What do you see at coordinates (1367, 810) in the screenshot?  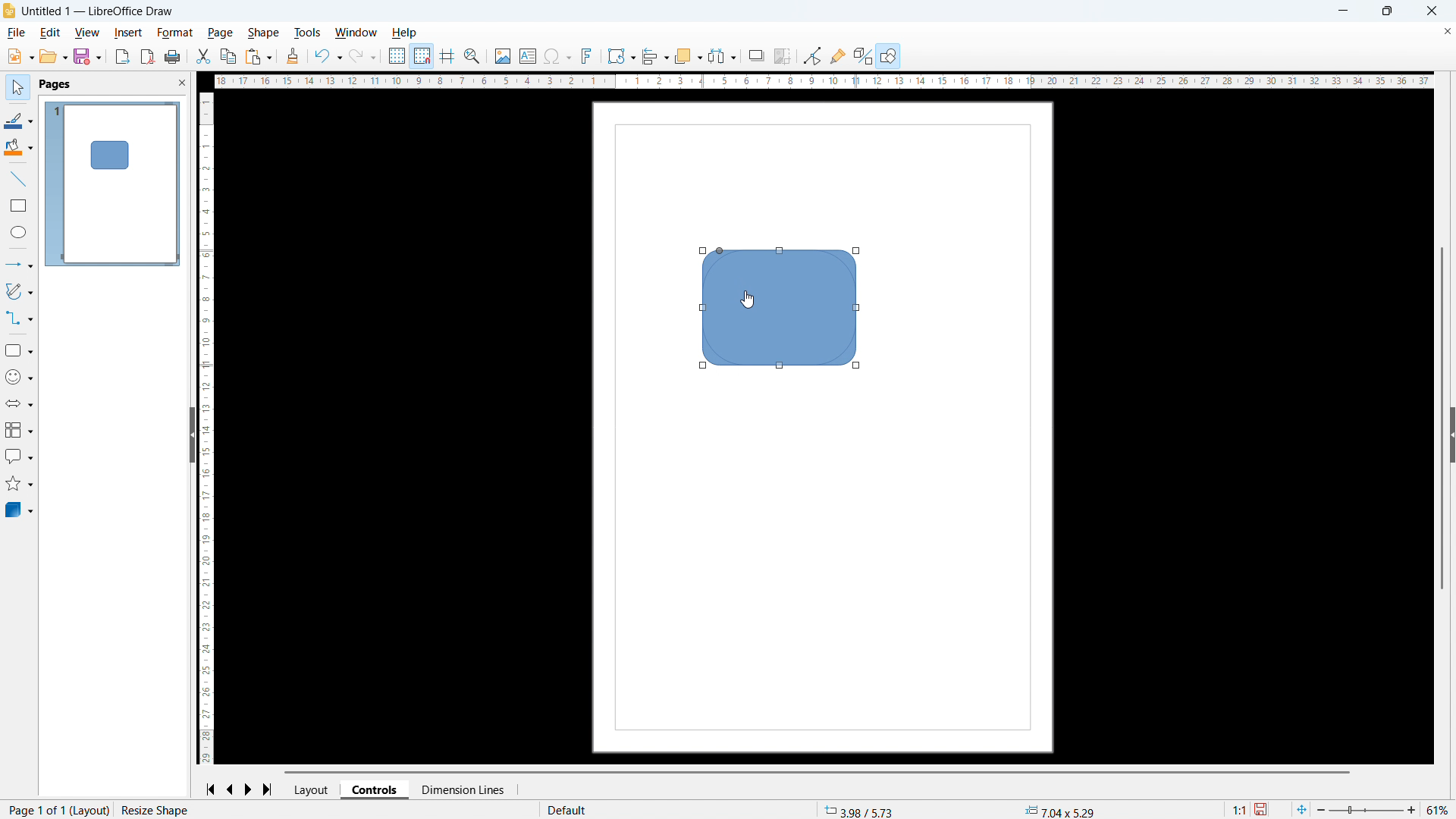 I see `Zoom slider ` at bounding box center [1367, 810].